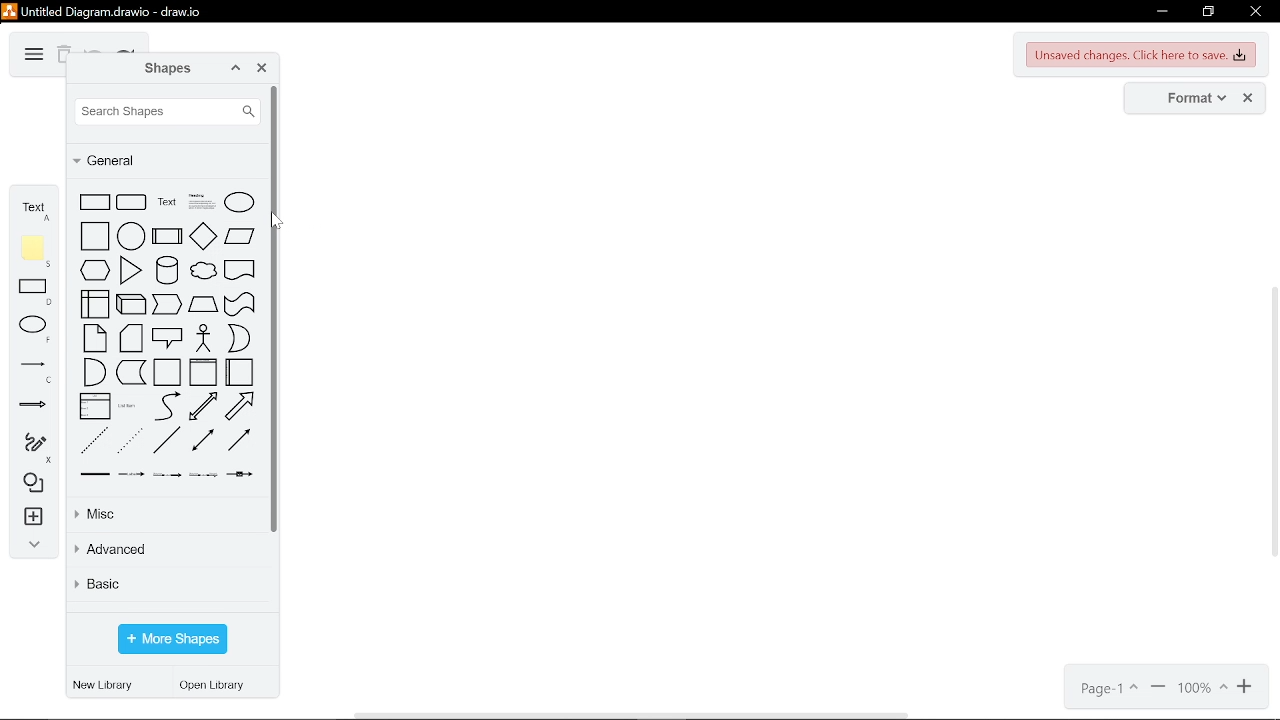  What do you see at coordinates (95, 304) in the screenshot?
I see `internal storage` at bounding box center [95, 304].